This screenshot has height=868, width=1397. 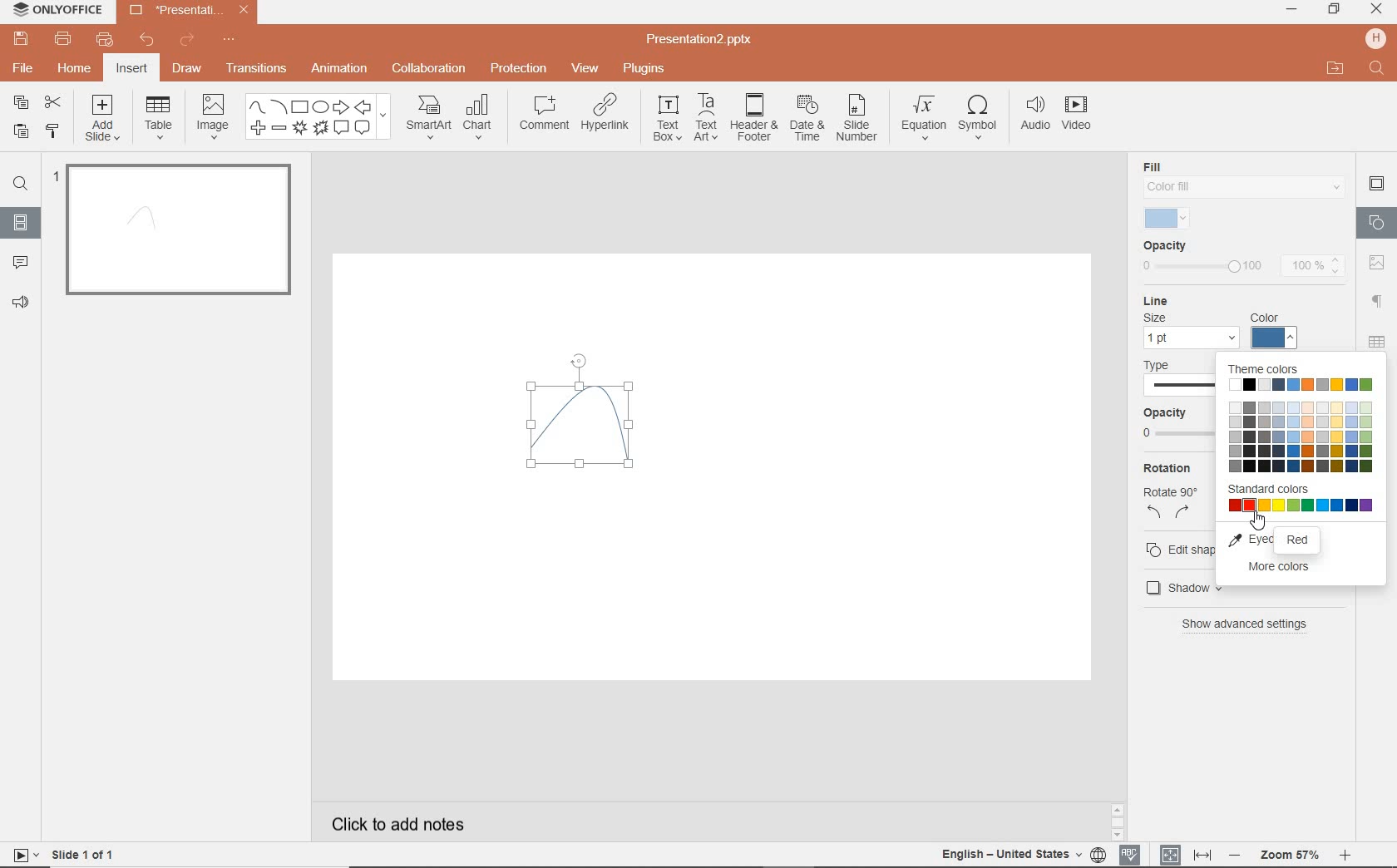 What do you see at coordinates (52, 102) in the screenshot?
I see `CUT` at bounding box center [52, 102].